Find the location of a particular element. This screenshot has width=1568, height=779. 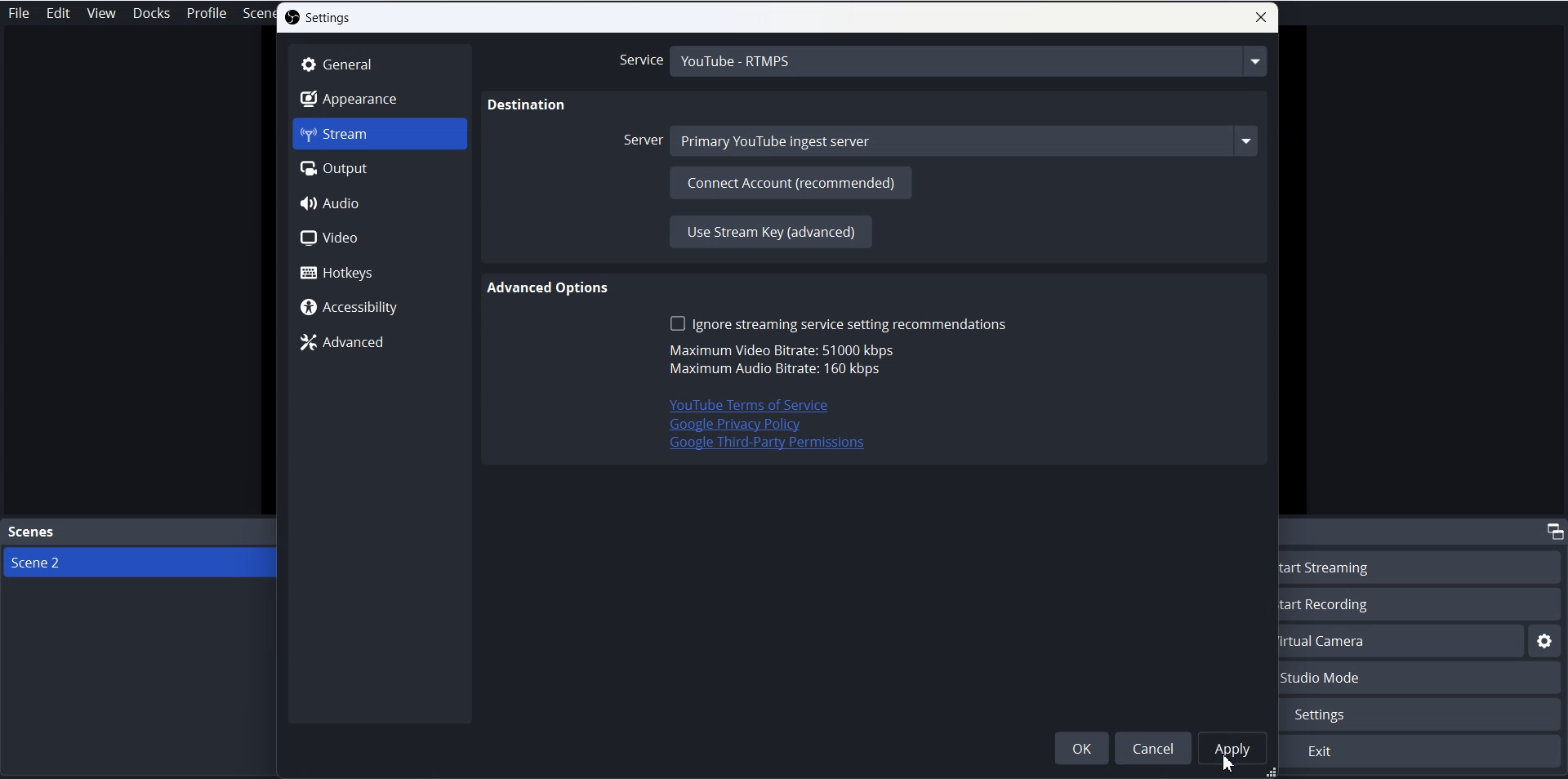

Edit is located at coordinates (59, 13).